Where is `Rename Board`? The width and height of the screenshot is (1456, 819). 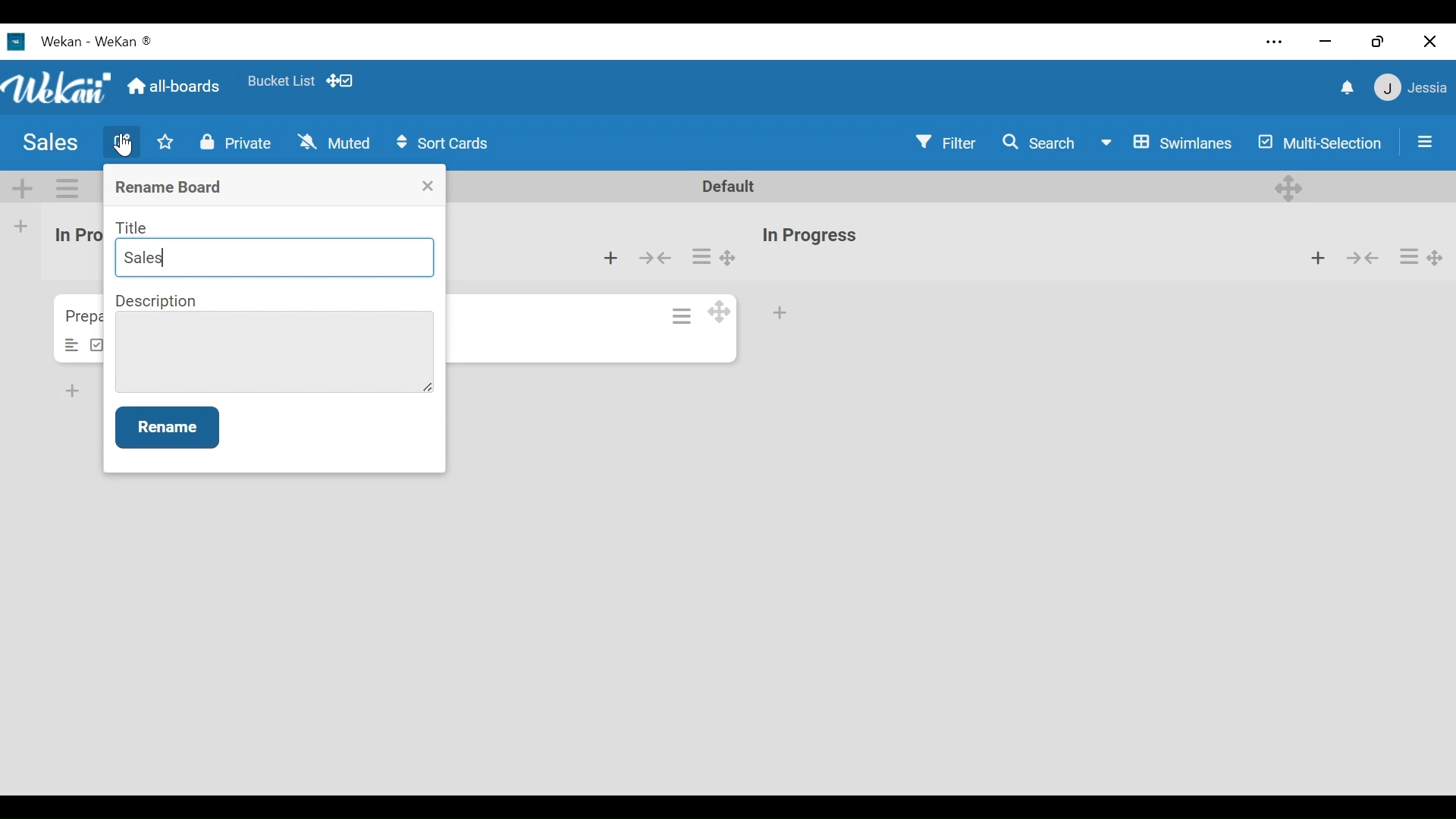 Rename Board is located at coordinates (171, 188).